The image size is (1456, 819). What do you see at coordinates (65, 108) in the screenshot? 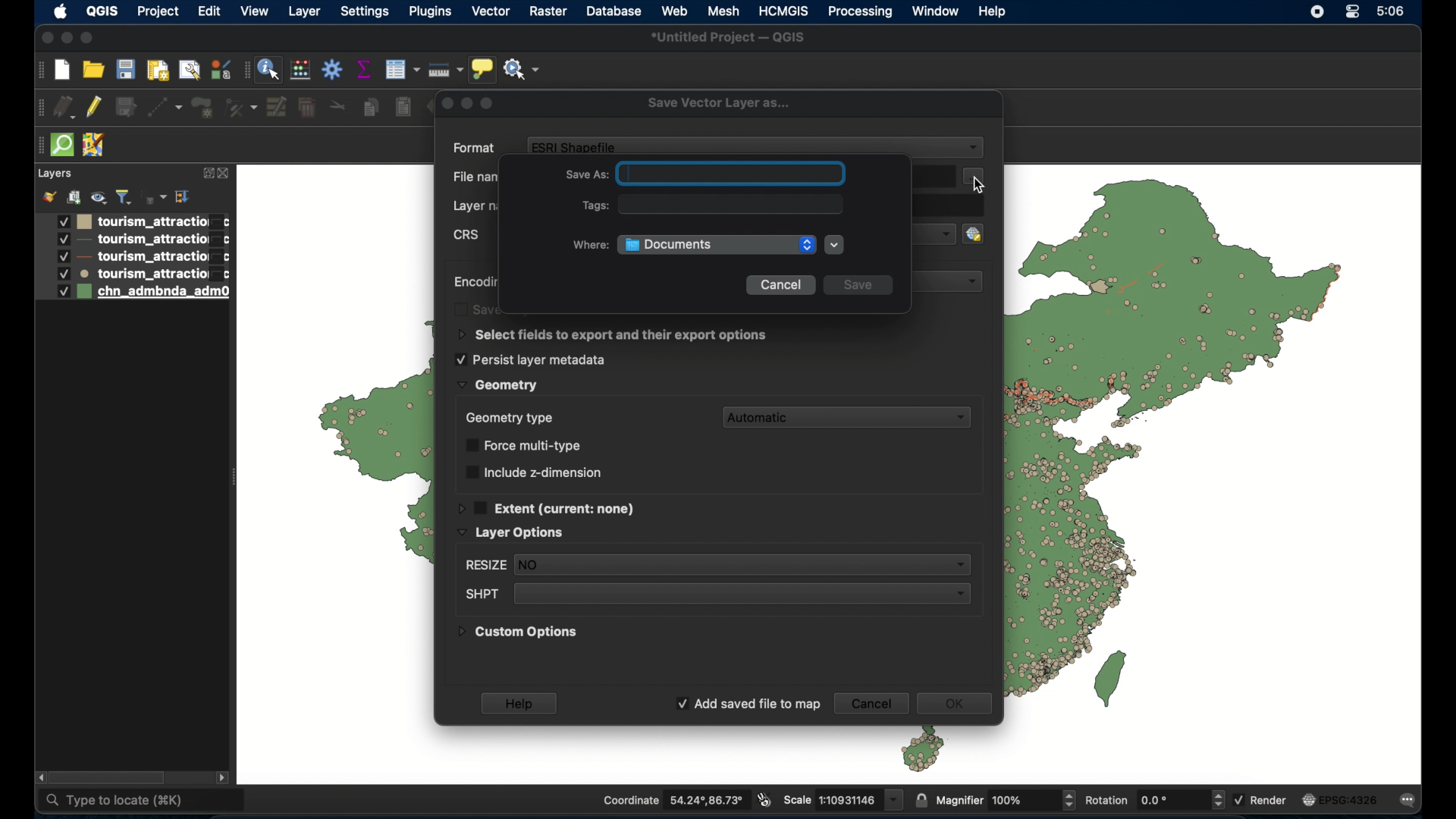
I see `current edits ` at bounding box center [65, 108].